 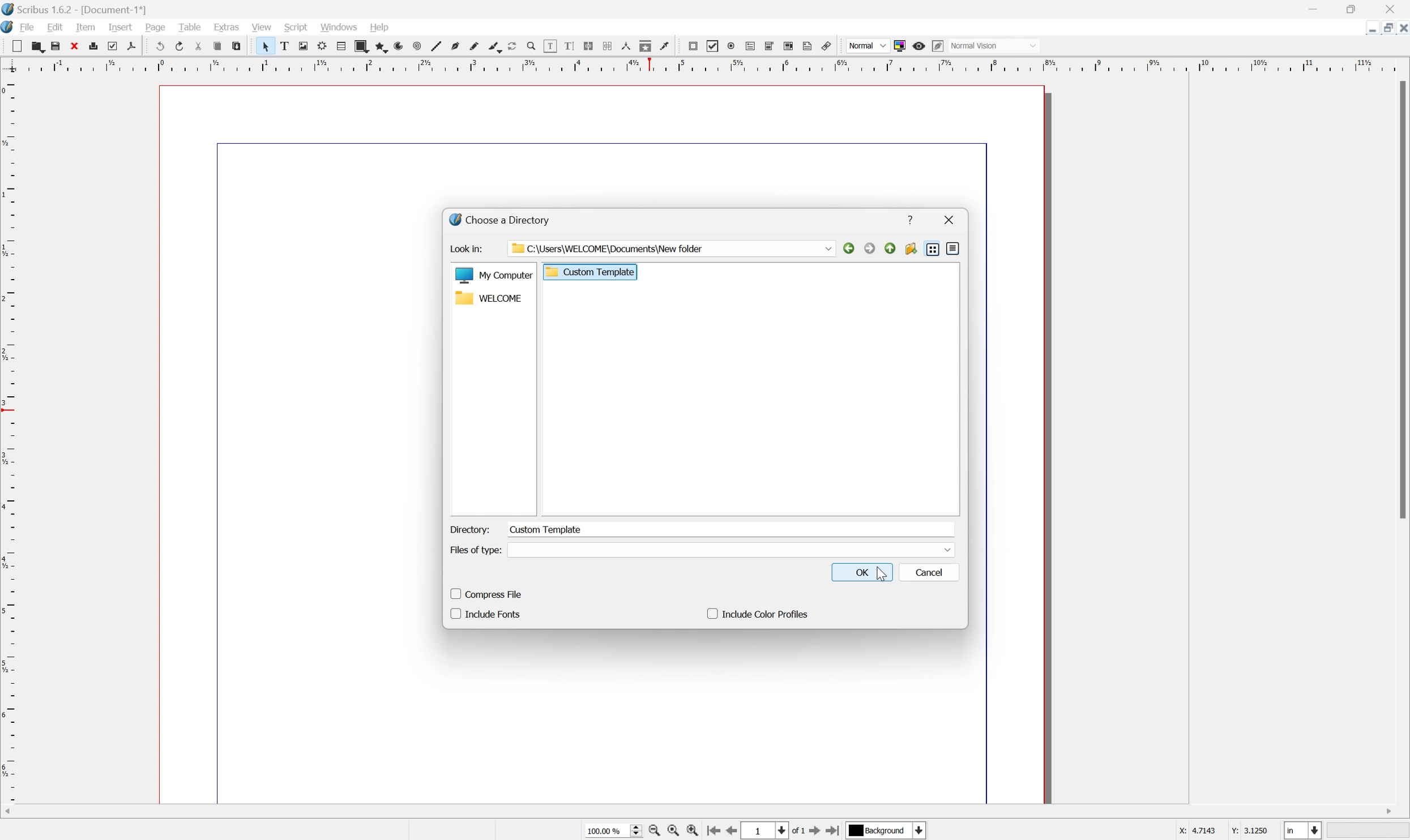 I want to click on measurements, so click(x=626, y=46).